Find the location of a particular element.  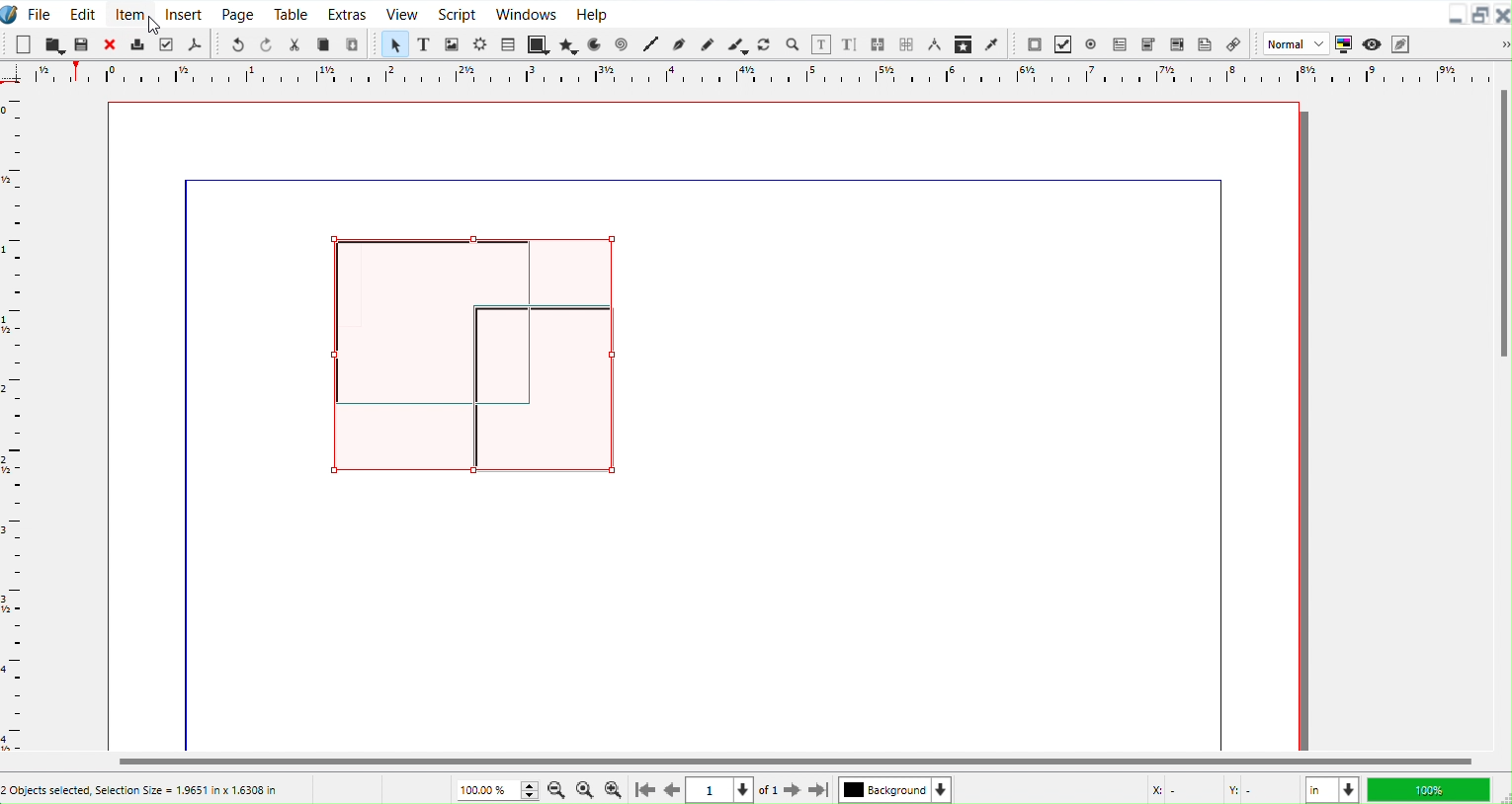

100 %  is located at coordinates (1432, 789).